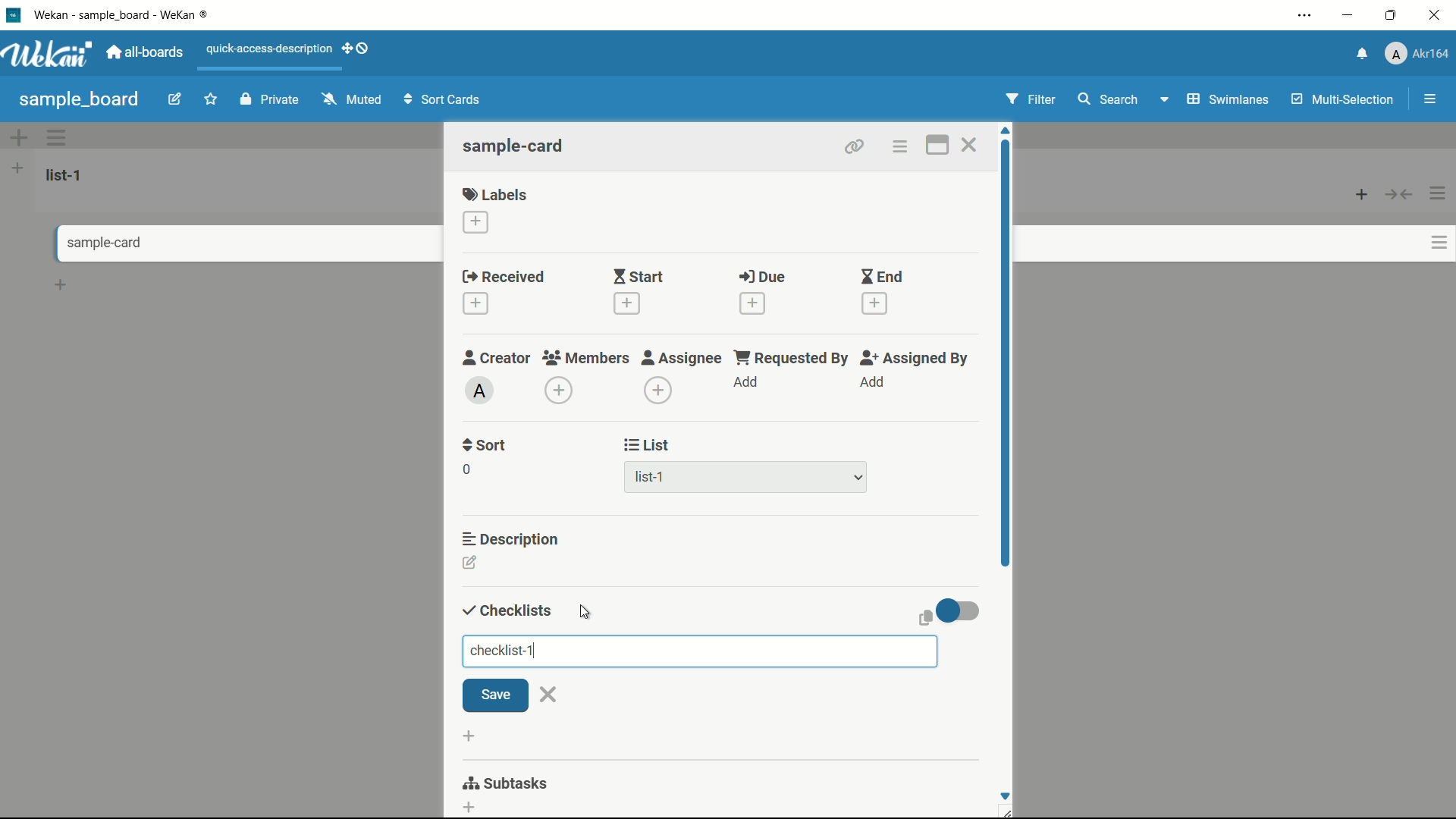 This screenshot has width=1456, height=819. What do you see at coordinates (475, 304) in the screenshot?
I see `add date` at bounding box center [475, 304].